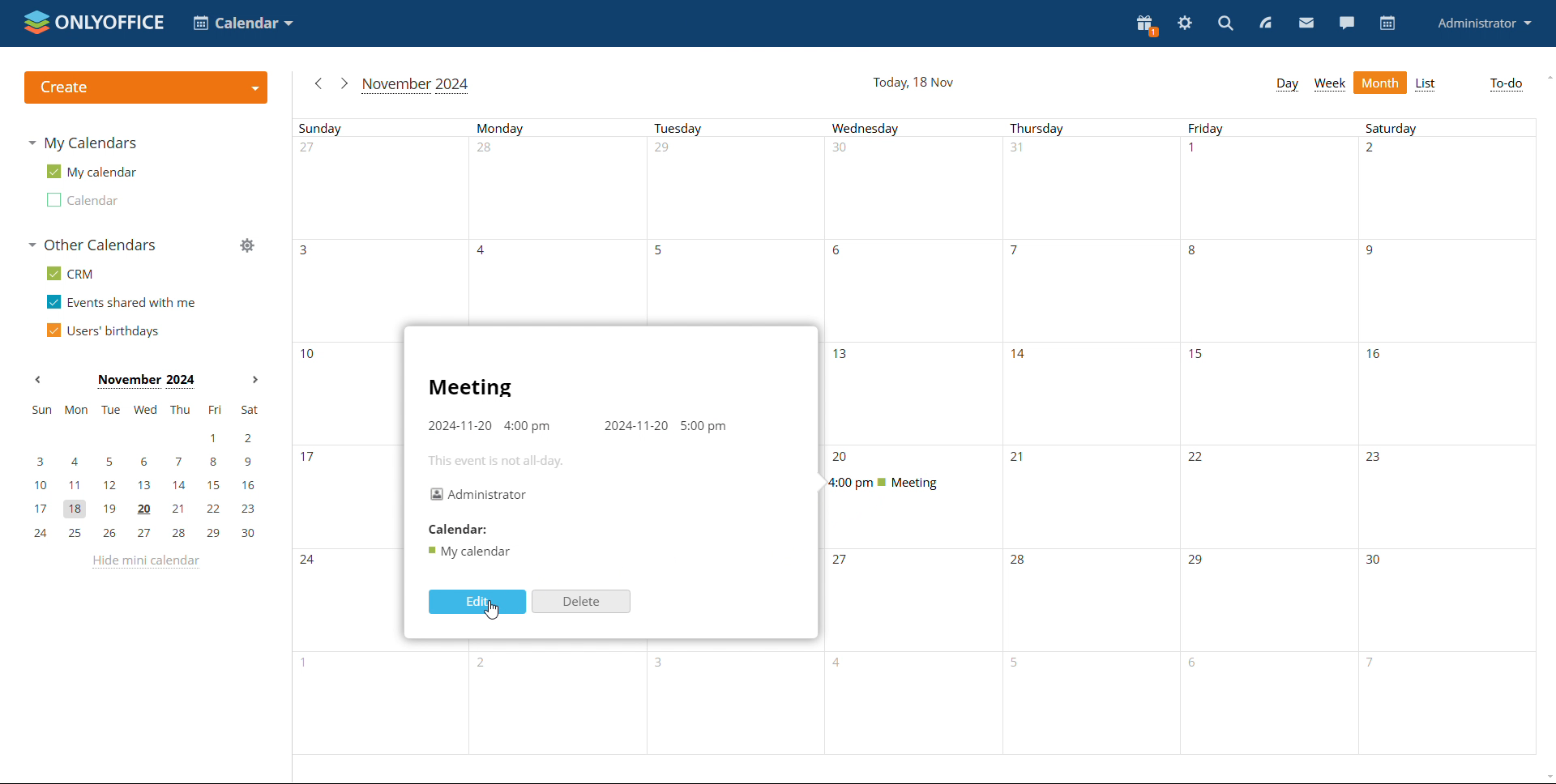 The width and height of the screenshot is (1556, 784). What do you see at coordinates (103, 330) in the screenshot?
I see `users' birthdays` at bounding box center [103, 330].